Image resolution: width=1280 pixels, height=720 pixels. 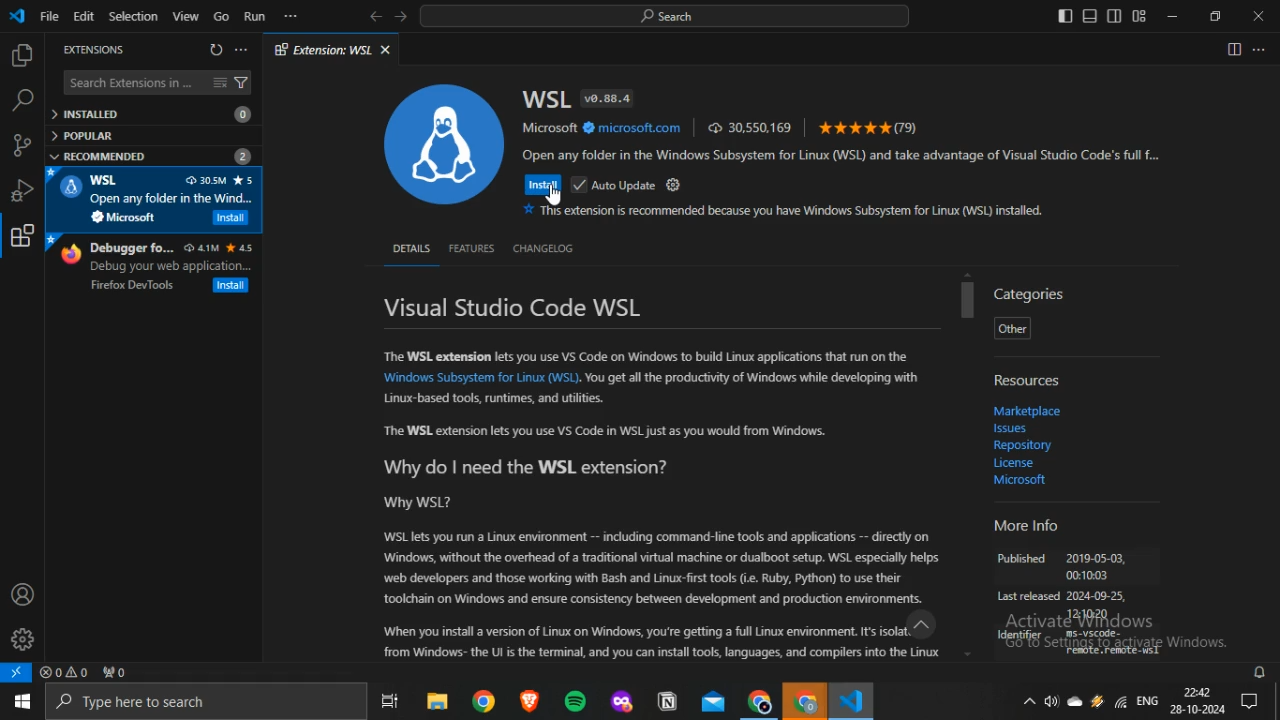 I want to click on more options, so click(x=240, y=49).